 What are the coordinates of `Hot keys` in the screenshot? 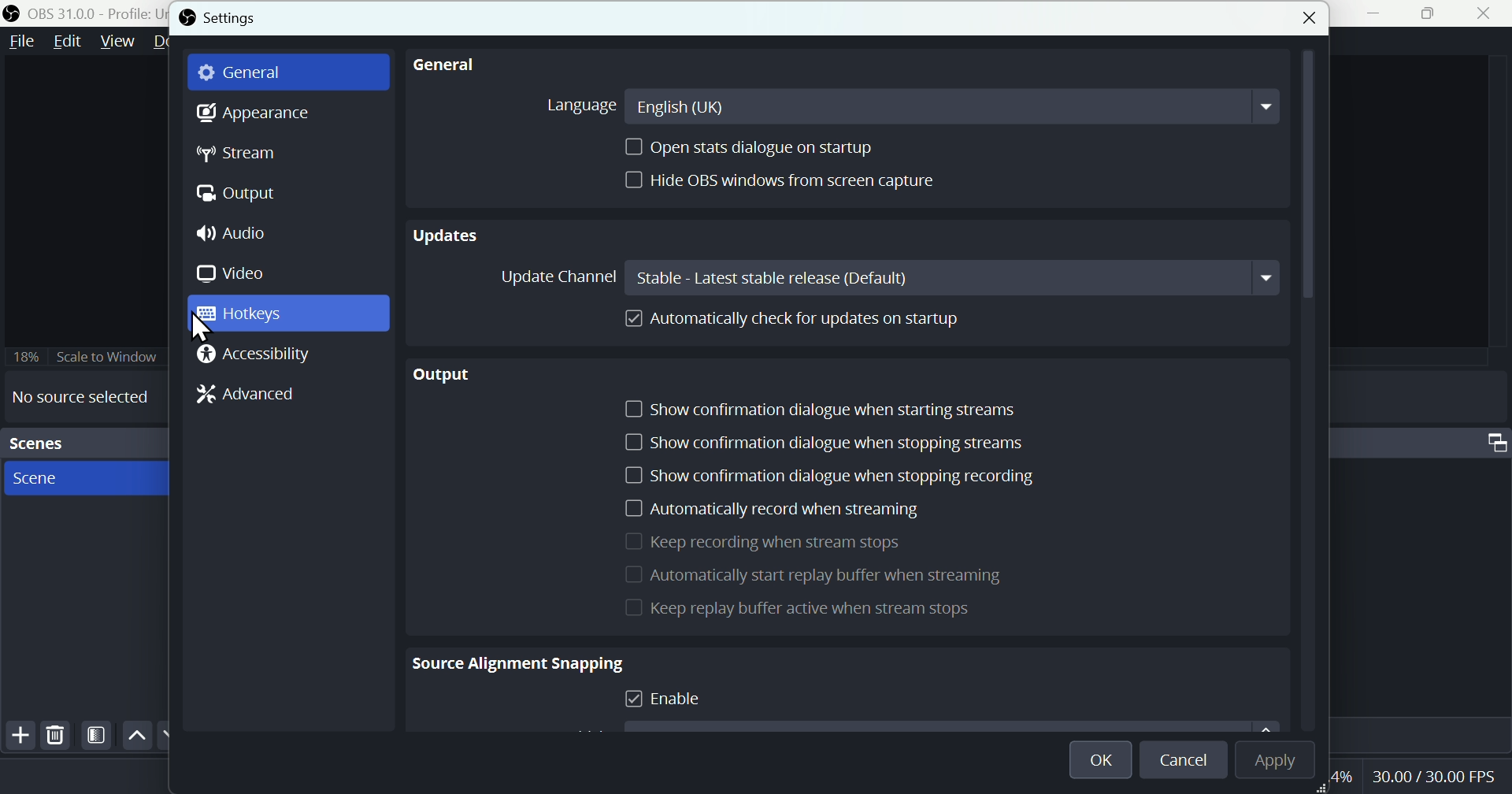 It's located at (288, 314).